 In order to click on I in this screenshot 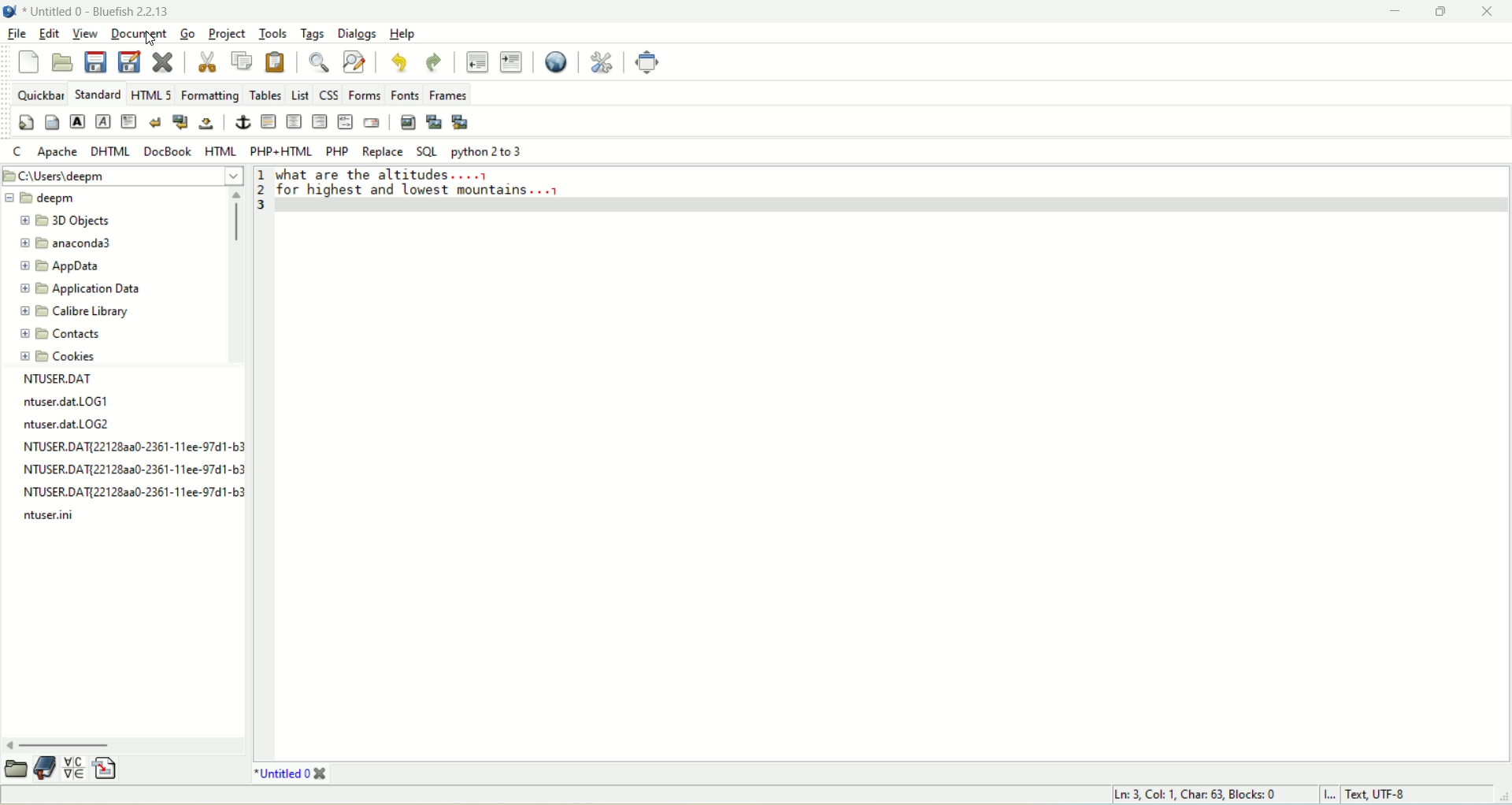, I will do `click(1331, 796)`.